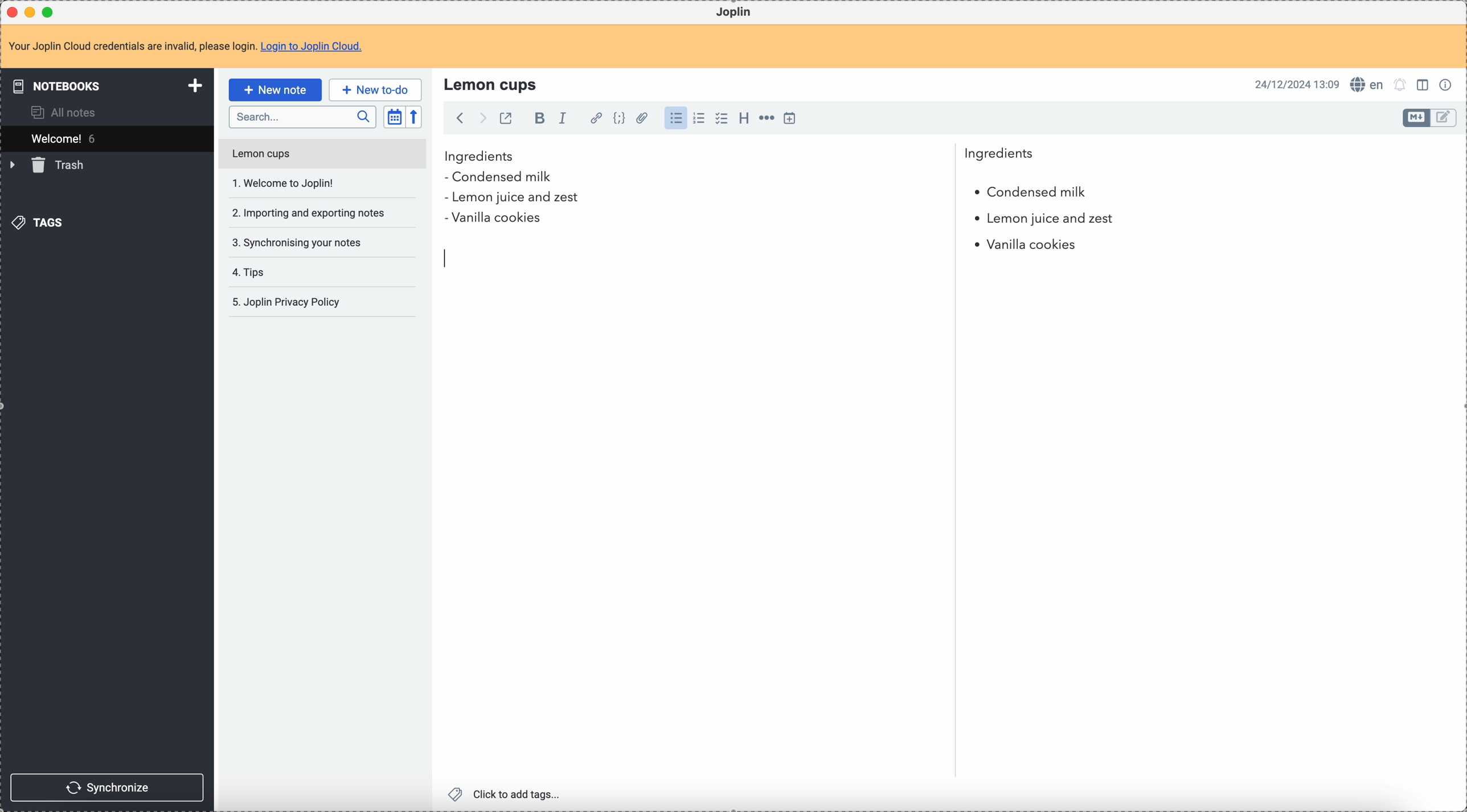 The width and height of the screenshot is (1467, 812). What do you see at coordinates (1400, 84) in the screenshot?
I see `set notifications` at bounding box center [1400, 84].